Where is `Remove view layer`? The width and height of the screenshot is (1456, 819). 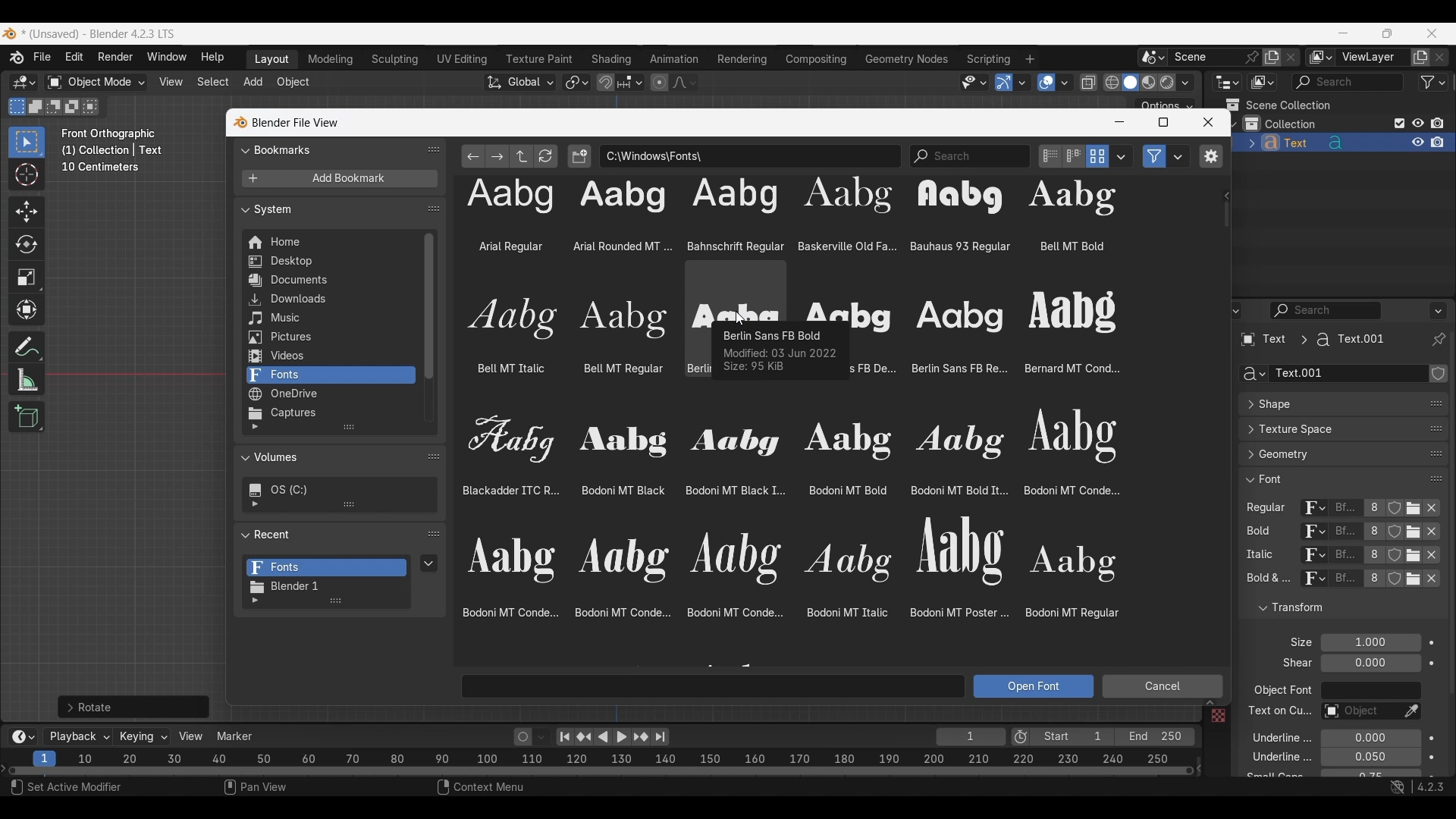
Remove view layer is located at coordinates (1440, 57).